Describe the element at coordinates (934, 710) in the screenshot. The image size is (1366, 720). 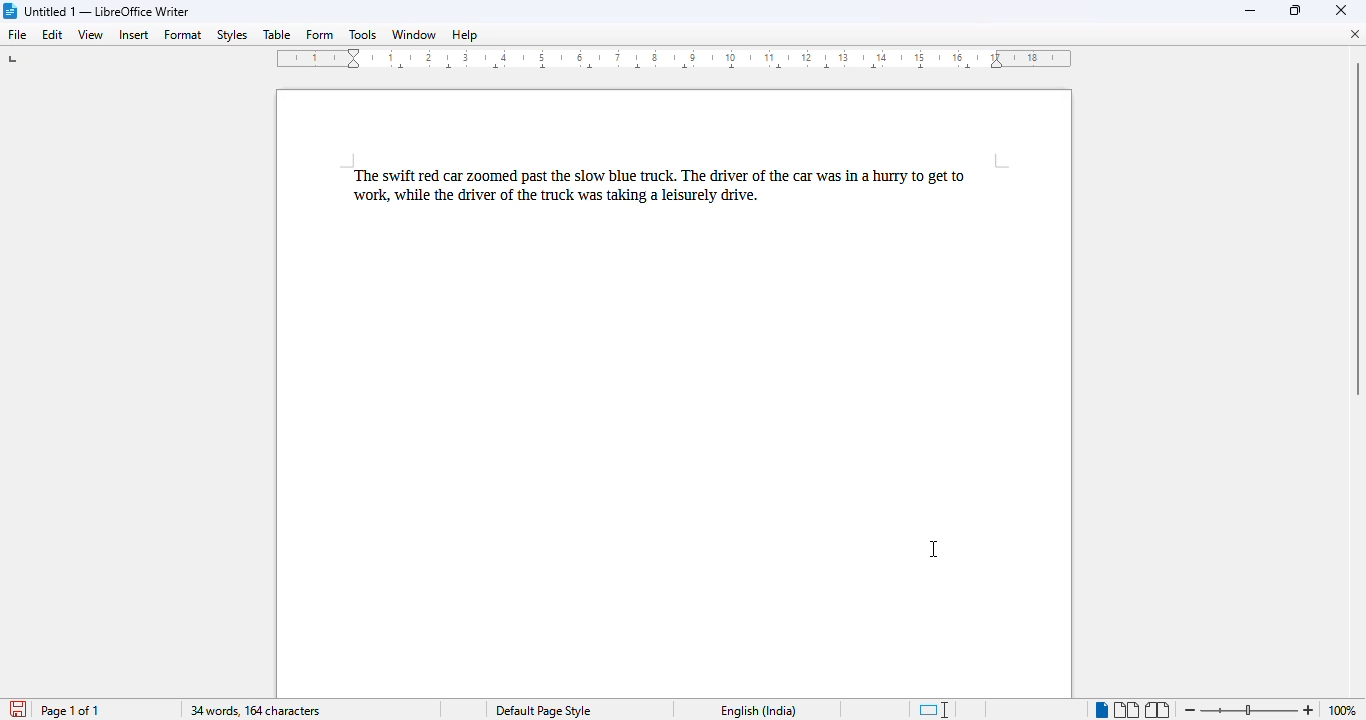
I see `standard selection` at that location.